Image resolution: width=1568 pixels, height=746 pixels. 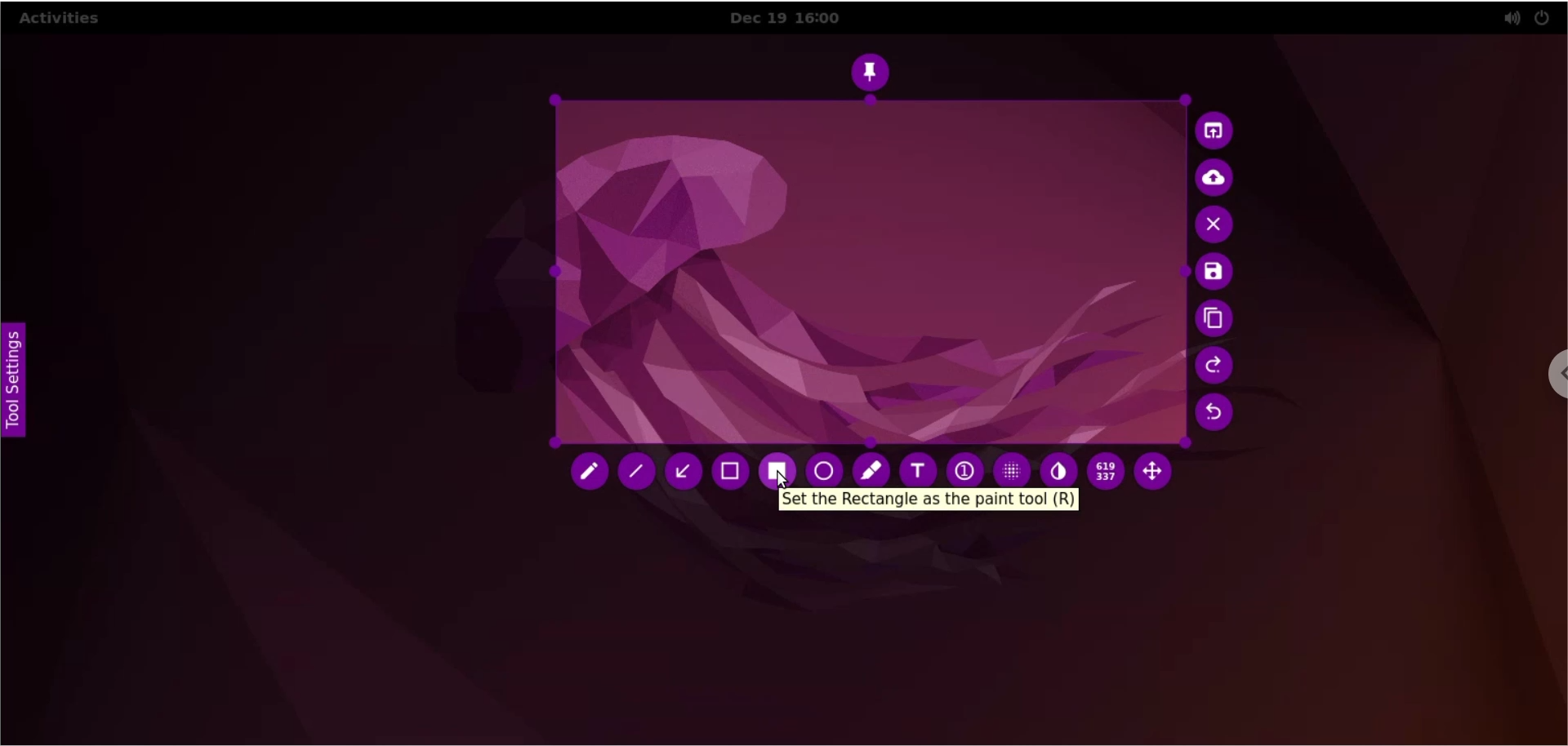 What do you see at coordinates (1158, 474) in the screenshot?
I see `move selection` at bounding box center [1158, 474].